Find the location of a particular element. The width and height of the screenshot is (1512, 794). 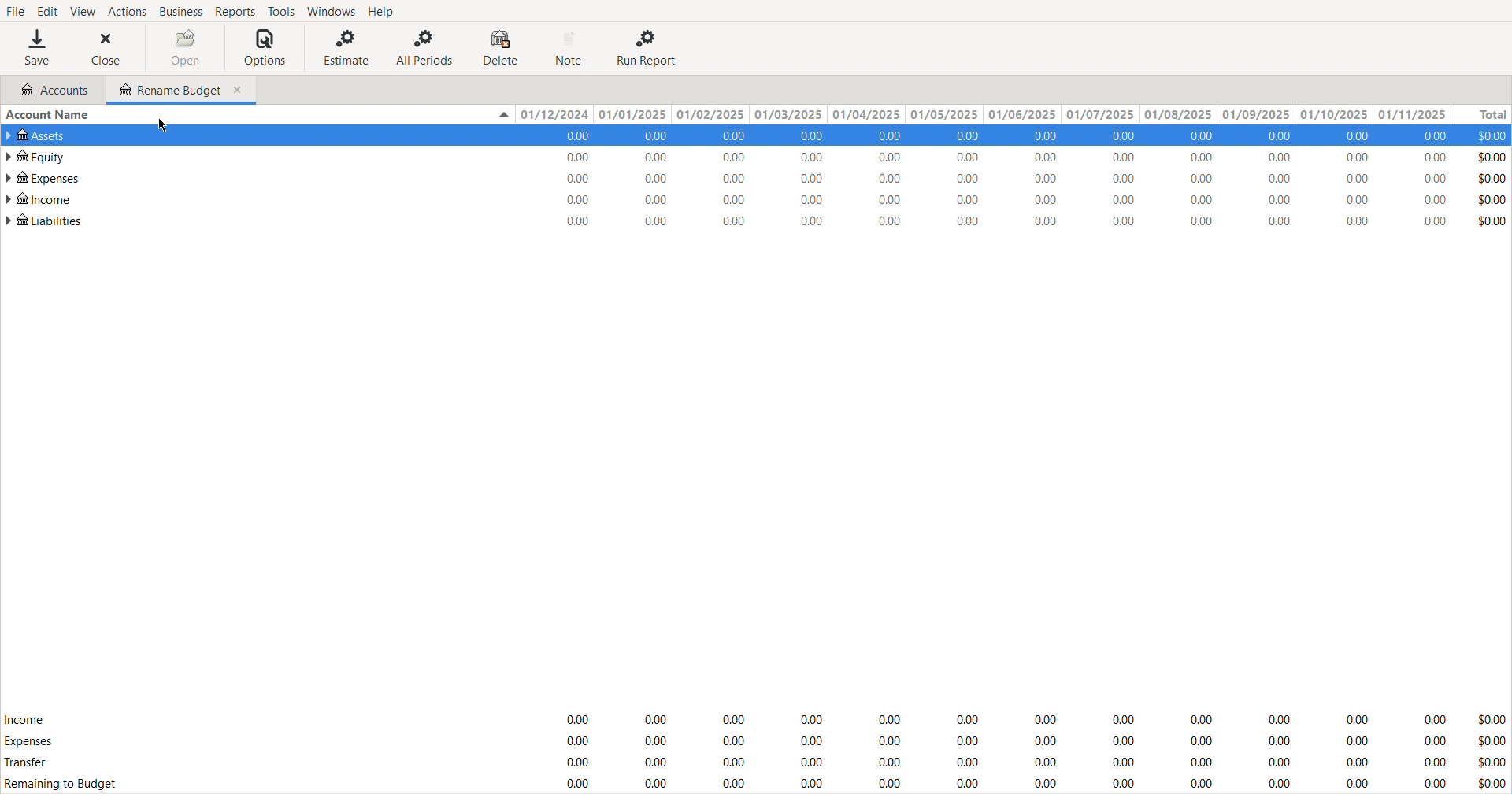

Rename Budget is located at coordinates (181, 88).